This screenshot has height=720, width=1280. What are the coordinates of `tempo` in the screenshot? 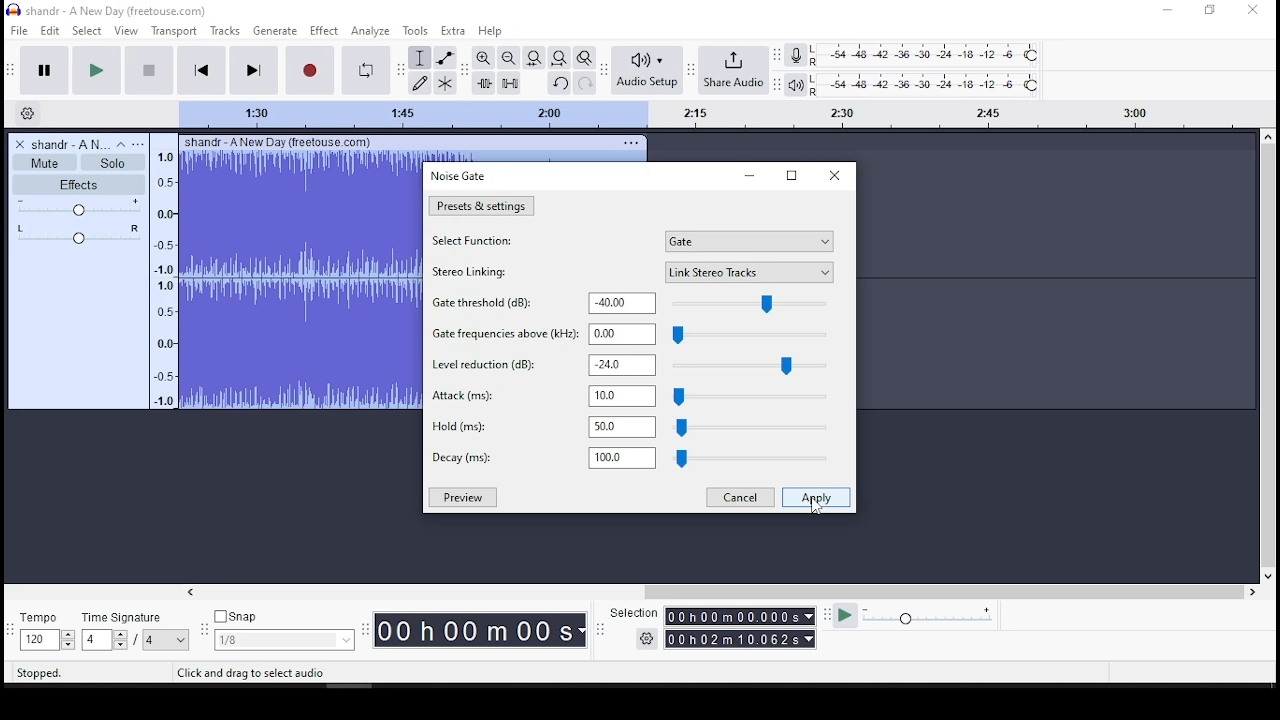 It's located at (46, 630).